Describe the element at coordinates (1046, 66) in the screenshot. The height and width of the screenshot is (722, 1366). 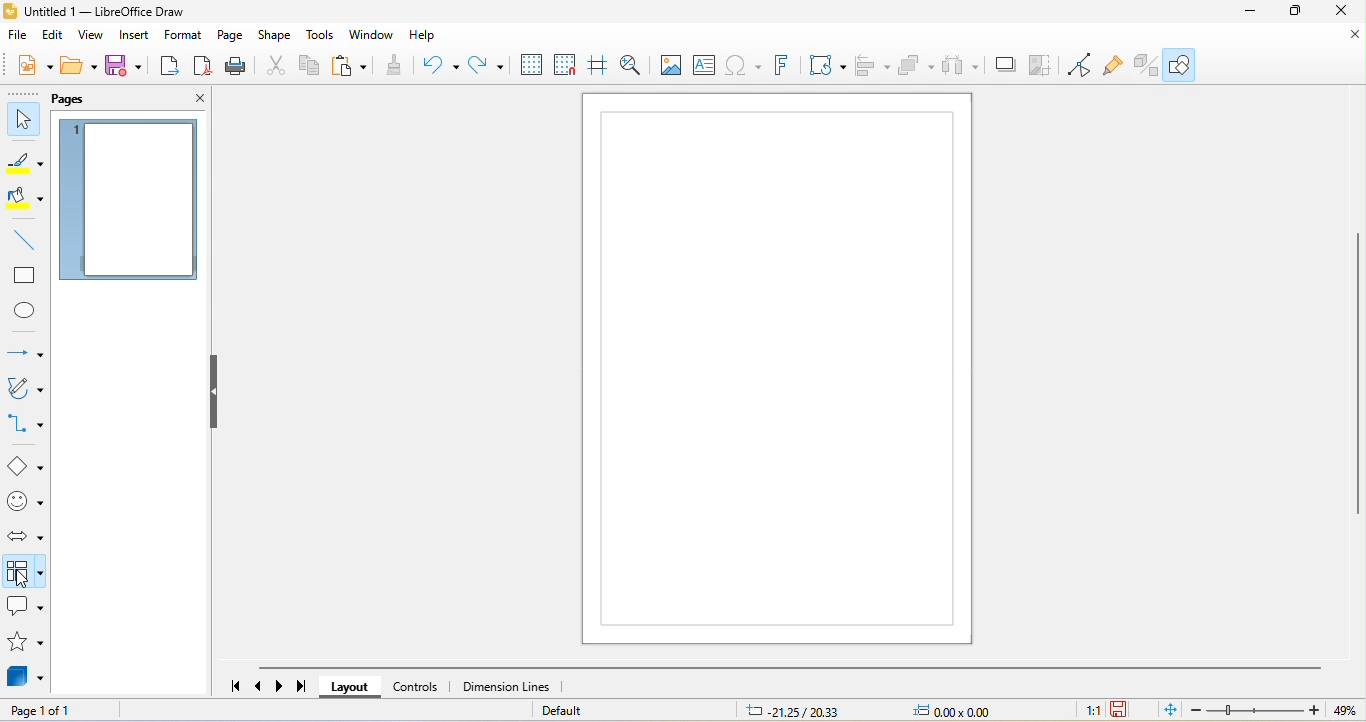
I see `crop image` at that location.